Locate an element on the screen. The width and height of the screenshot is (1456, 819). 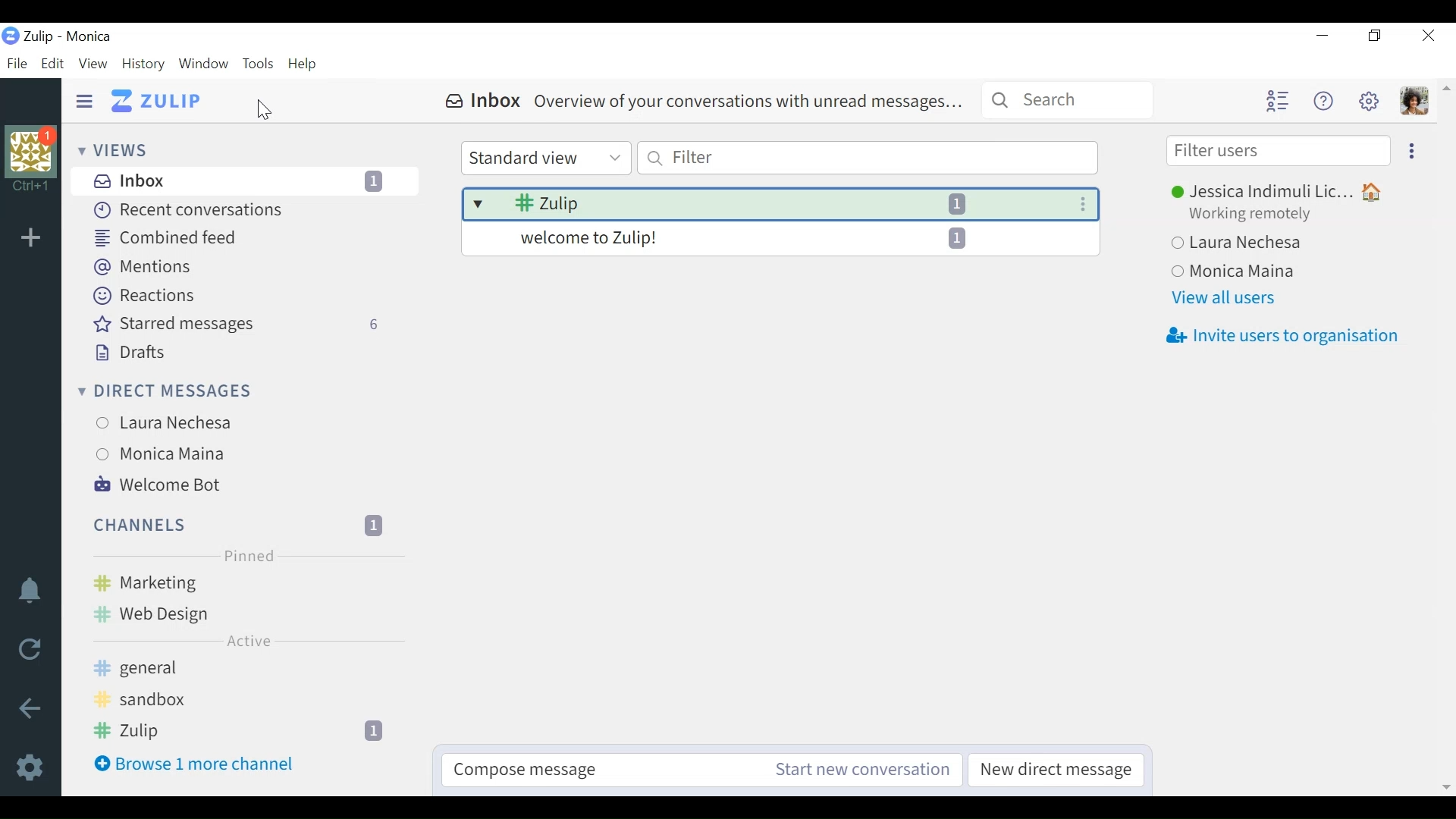
View all users is located at coordinates (1222, 300).